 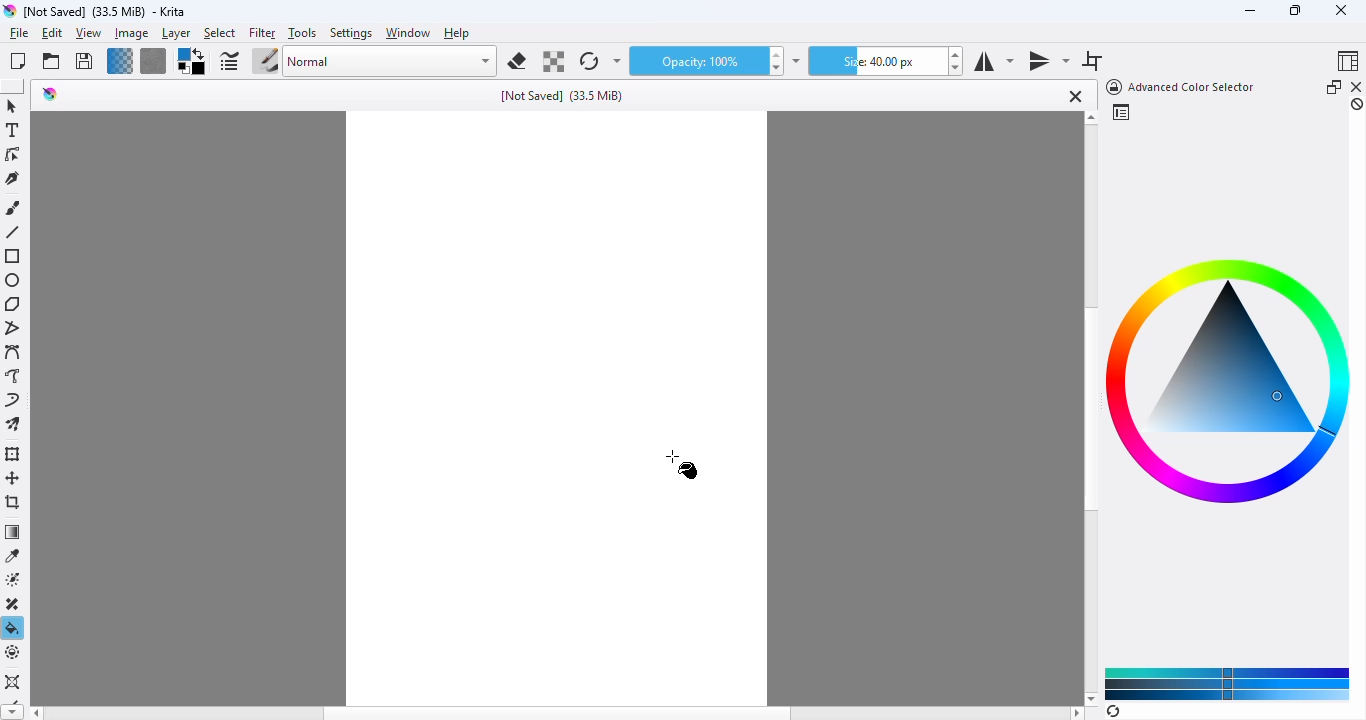 What do you see at coordinates (192, 61) in the screenshot?
I see `foreground/background color selector` at bounding box center [192, 61].